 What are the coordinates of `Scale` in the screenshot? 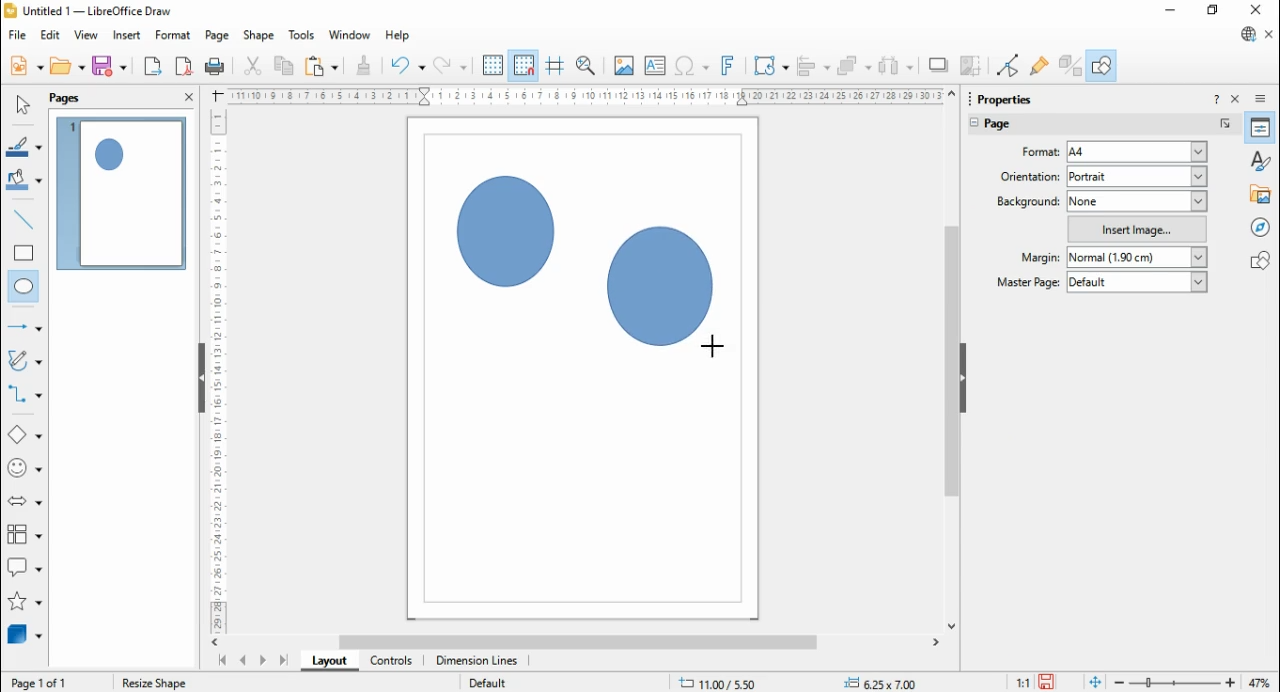 It's located at (217, 367).